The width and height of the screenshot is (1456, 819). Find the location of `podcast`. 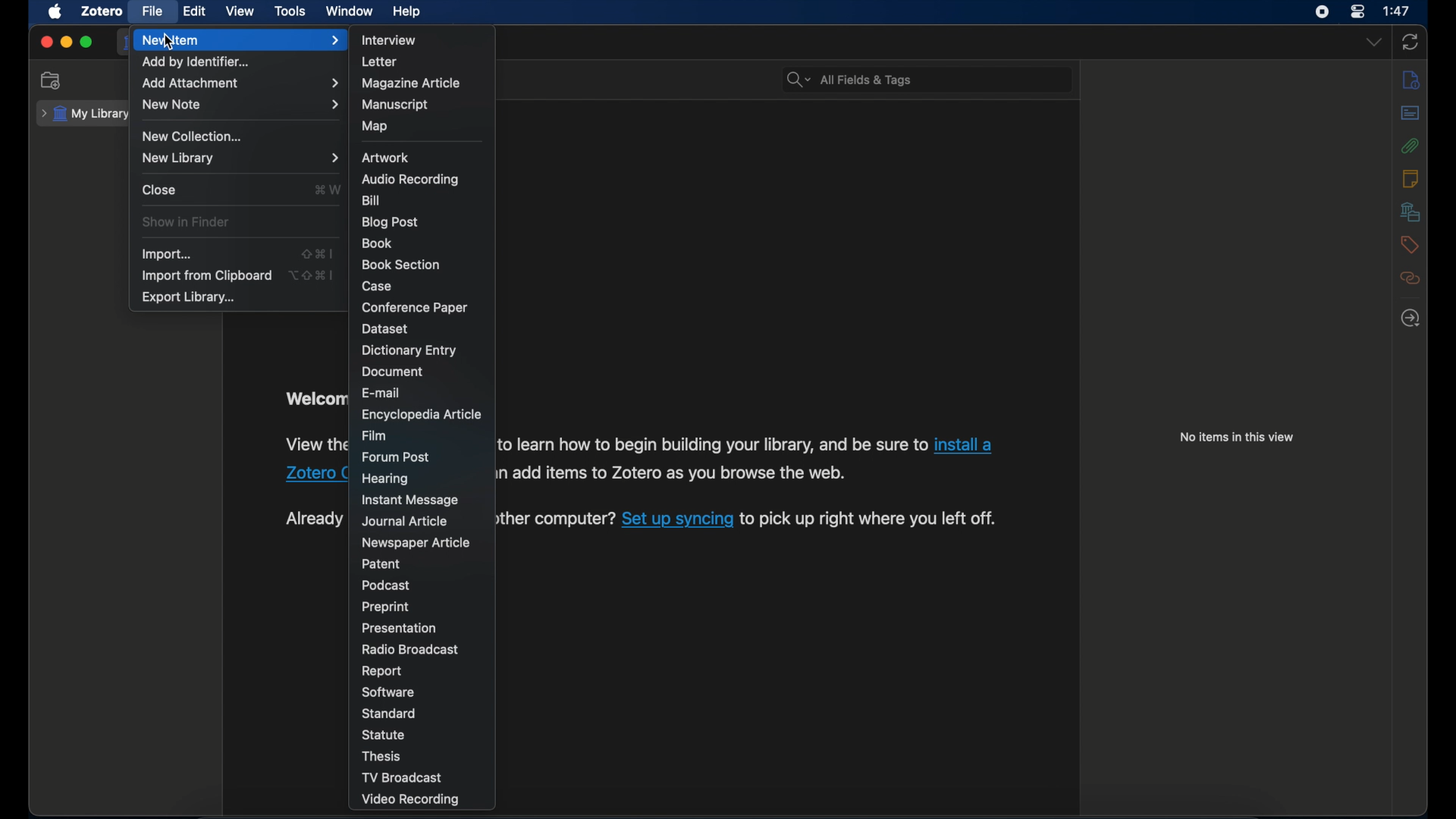

podcast is located at coordinates (388, 585).